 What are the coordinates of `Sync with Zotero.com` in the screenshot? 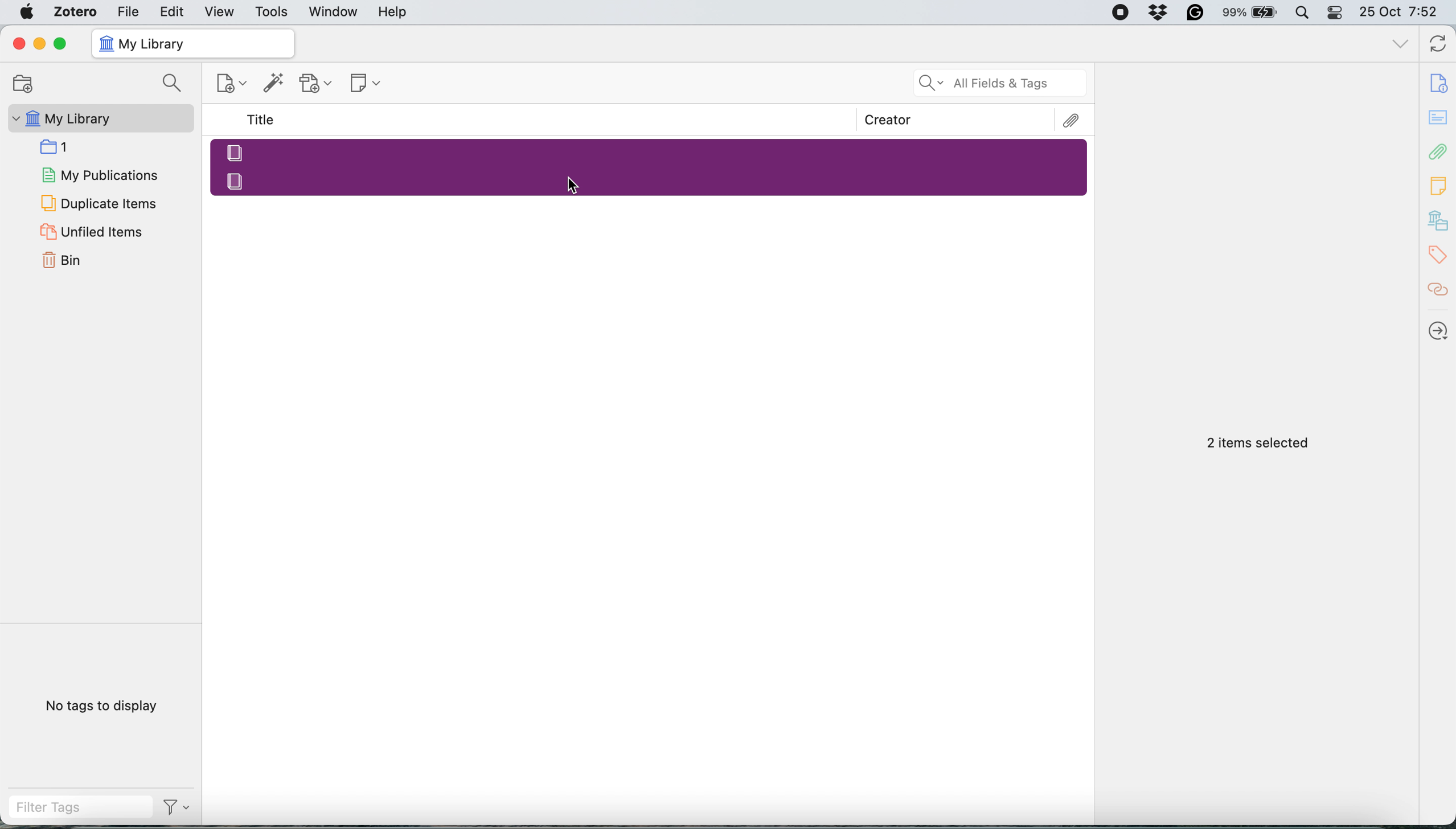 It's located at (1439, 46).